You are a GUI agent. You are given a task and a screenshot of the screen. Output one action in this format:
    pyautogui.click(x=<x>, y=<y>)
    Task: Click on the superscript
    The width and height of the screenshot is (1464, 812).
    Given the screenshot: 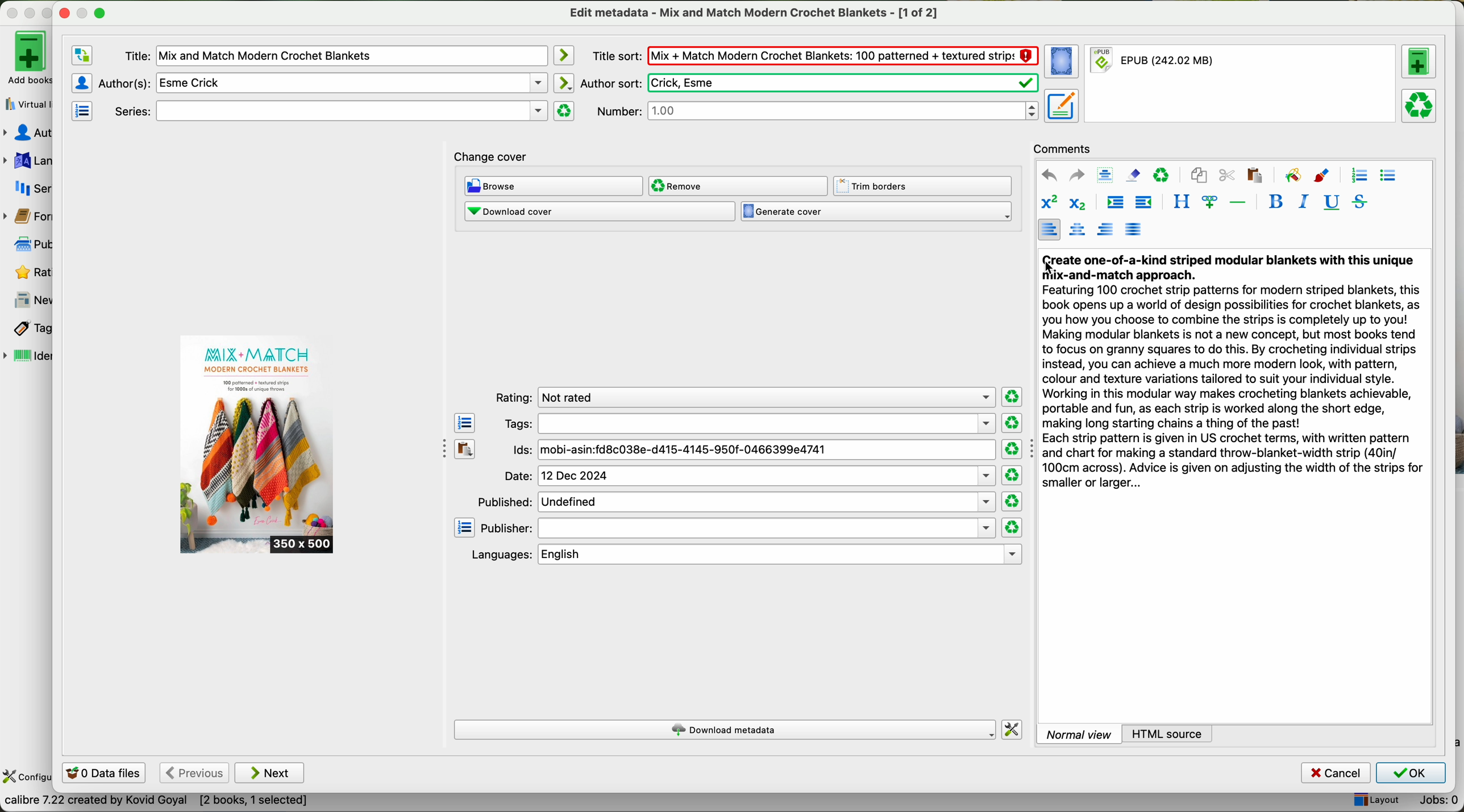 What is the action you would take?
    pyautogui.click(x=1049, y=203)
    